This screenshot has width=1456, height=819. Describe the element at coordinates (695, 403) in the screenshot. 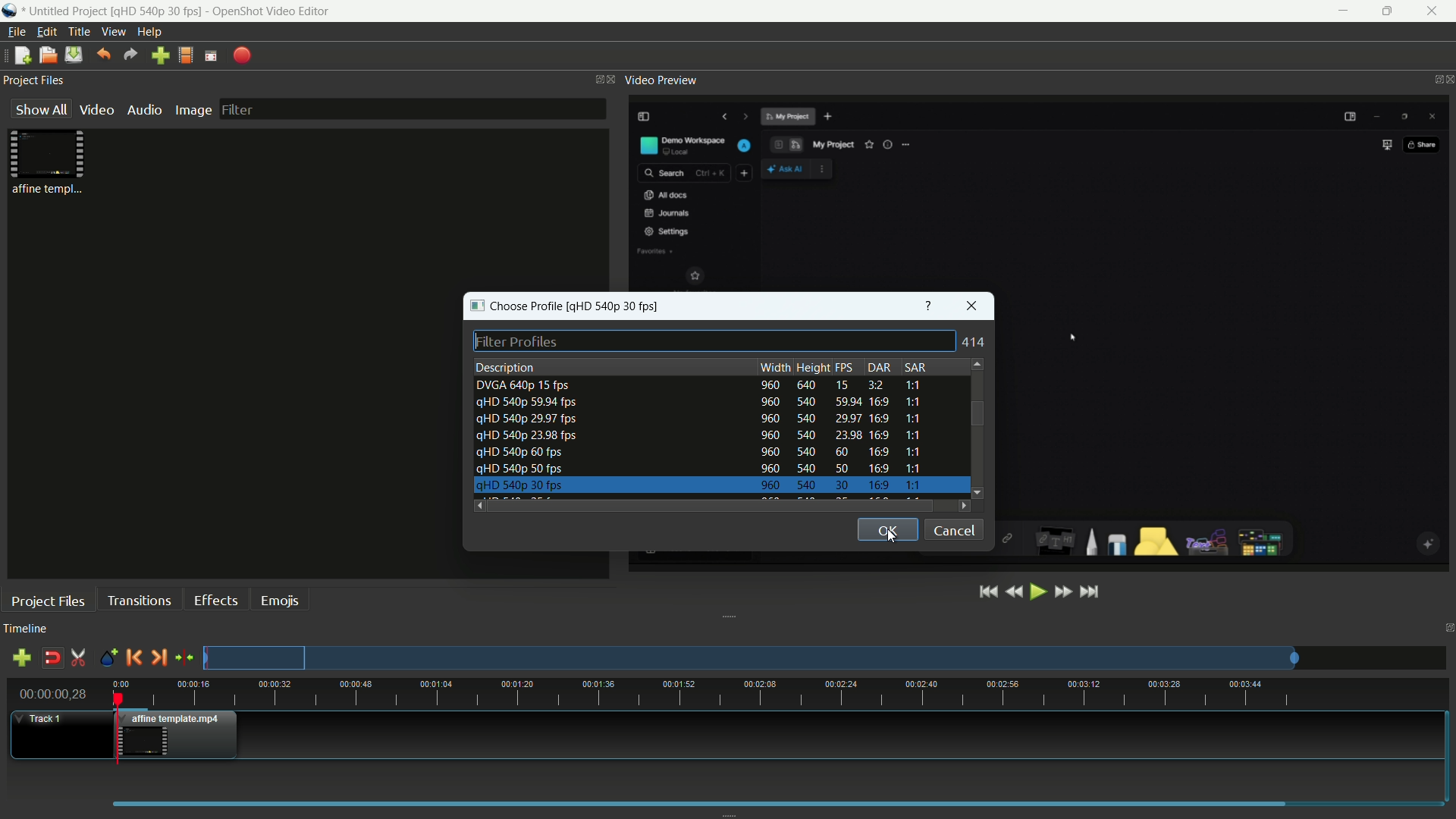

I see `profile-2` at that location.